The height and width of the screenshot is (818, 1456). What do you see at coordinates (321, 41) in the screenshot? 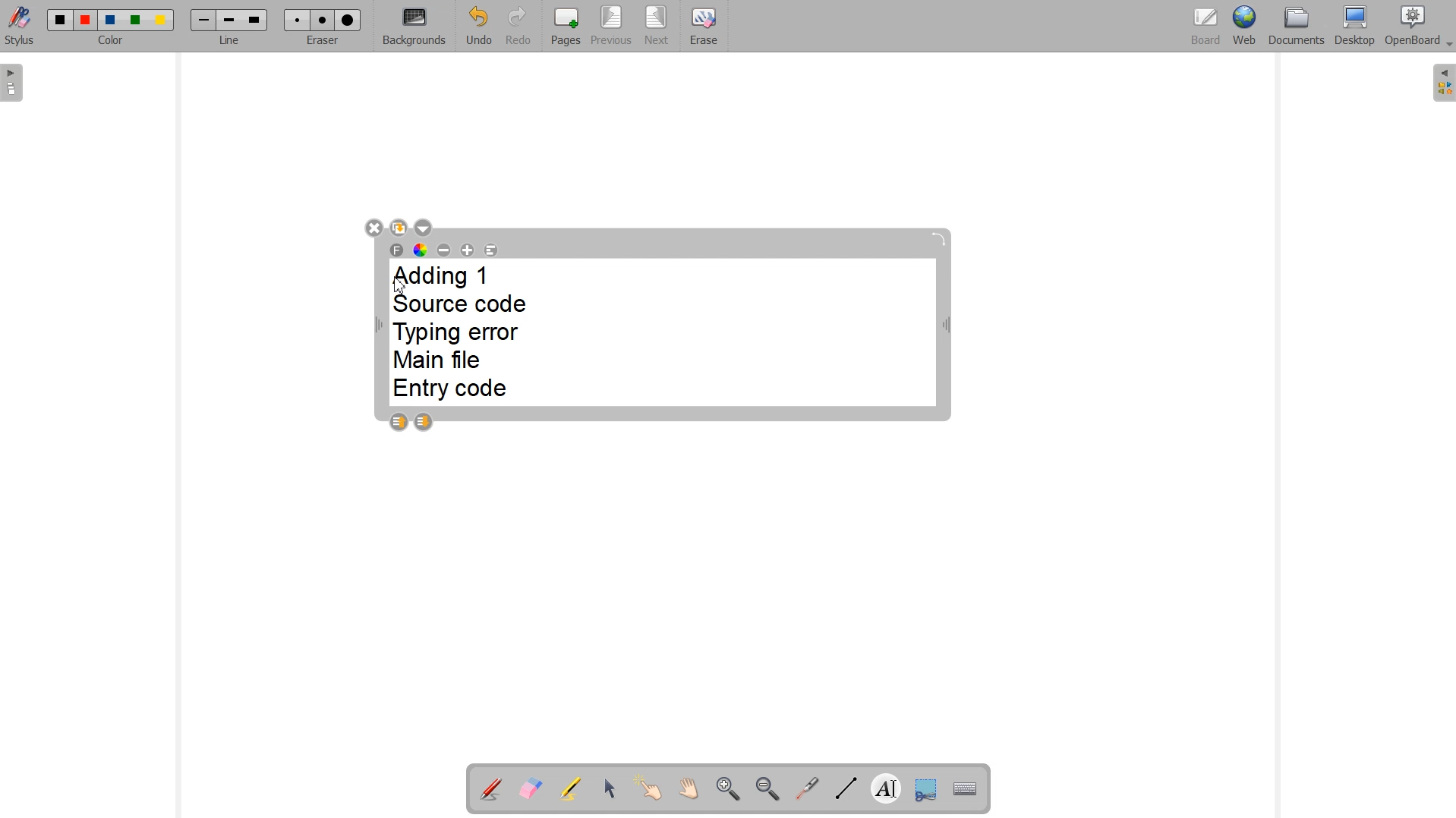
I see `Eraser` at bounding box center [321, 41].